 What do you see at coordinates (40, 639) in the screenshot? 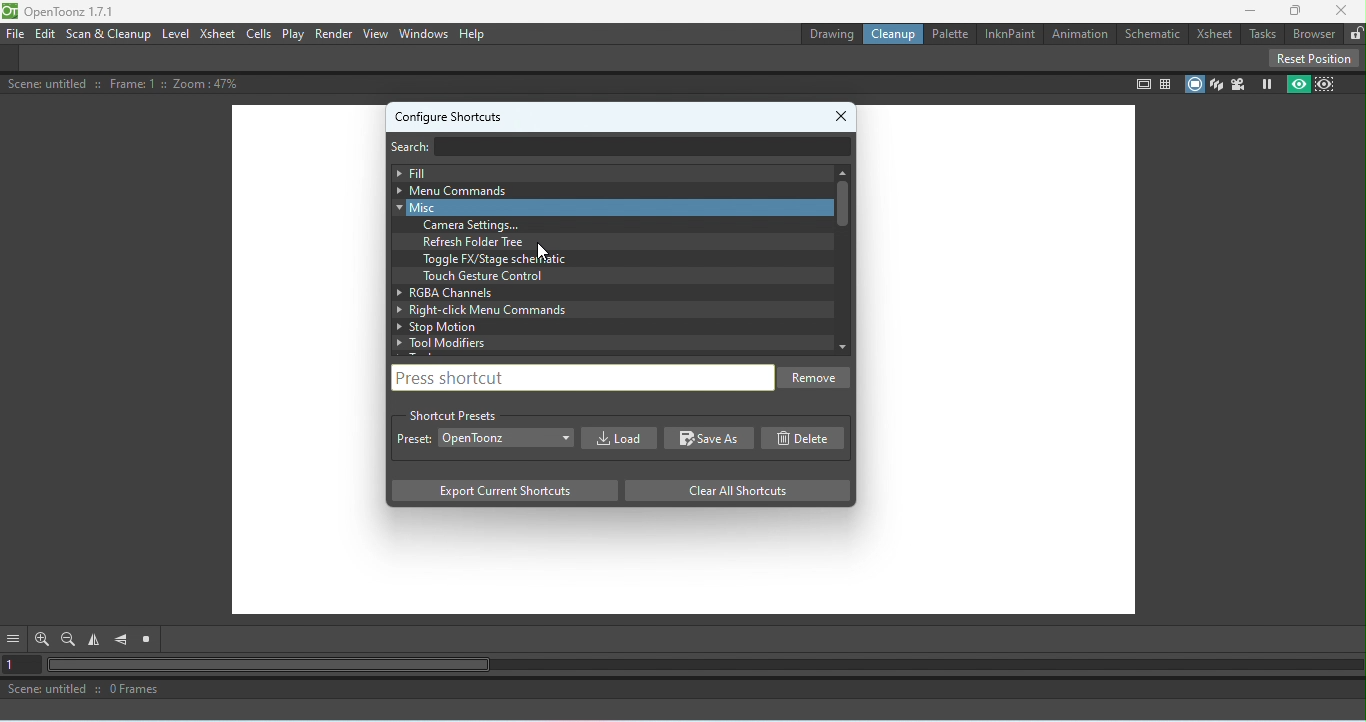
I see `Zoom in` at bounding box center [40, 639].